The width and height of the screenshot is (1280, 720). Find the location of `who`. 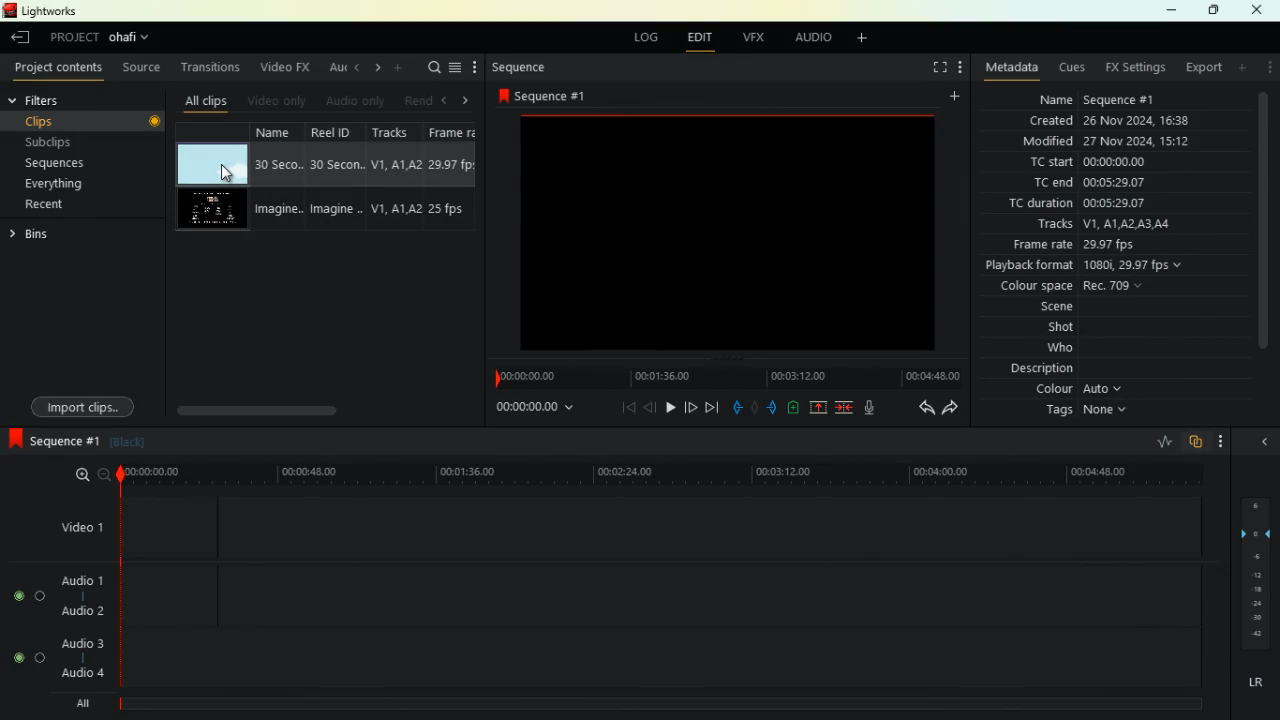

who is located at coordinates (1067, 348).